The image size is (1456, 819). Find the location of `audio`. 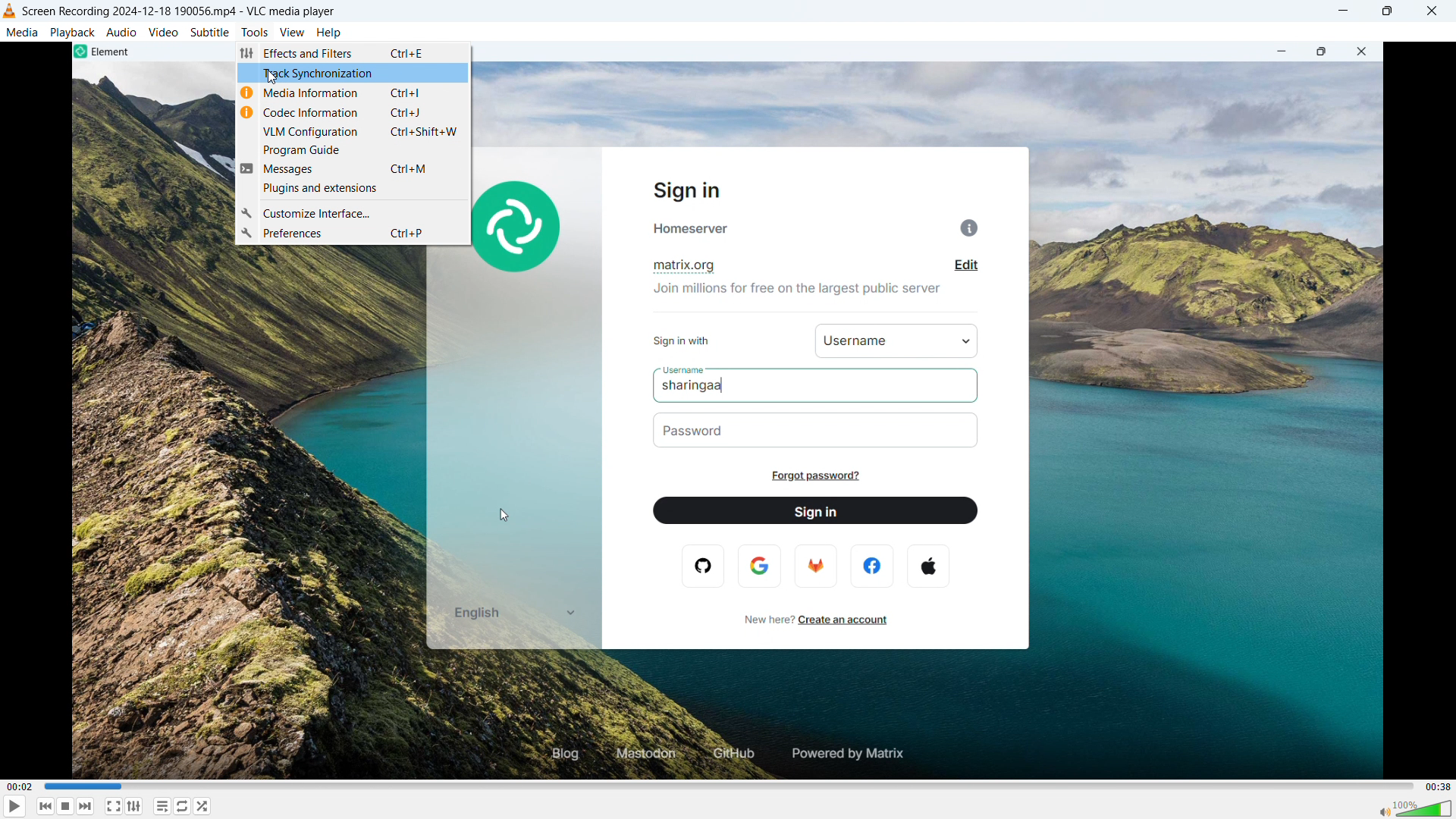

audio is located at coordinates (121, 33).